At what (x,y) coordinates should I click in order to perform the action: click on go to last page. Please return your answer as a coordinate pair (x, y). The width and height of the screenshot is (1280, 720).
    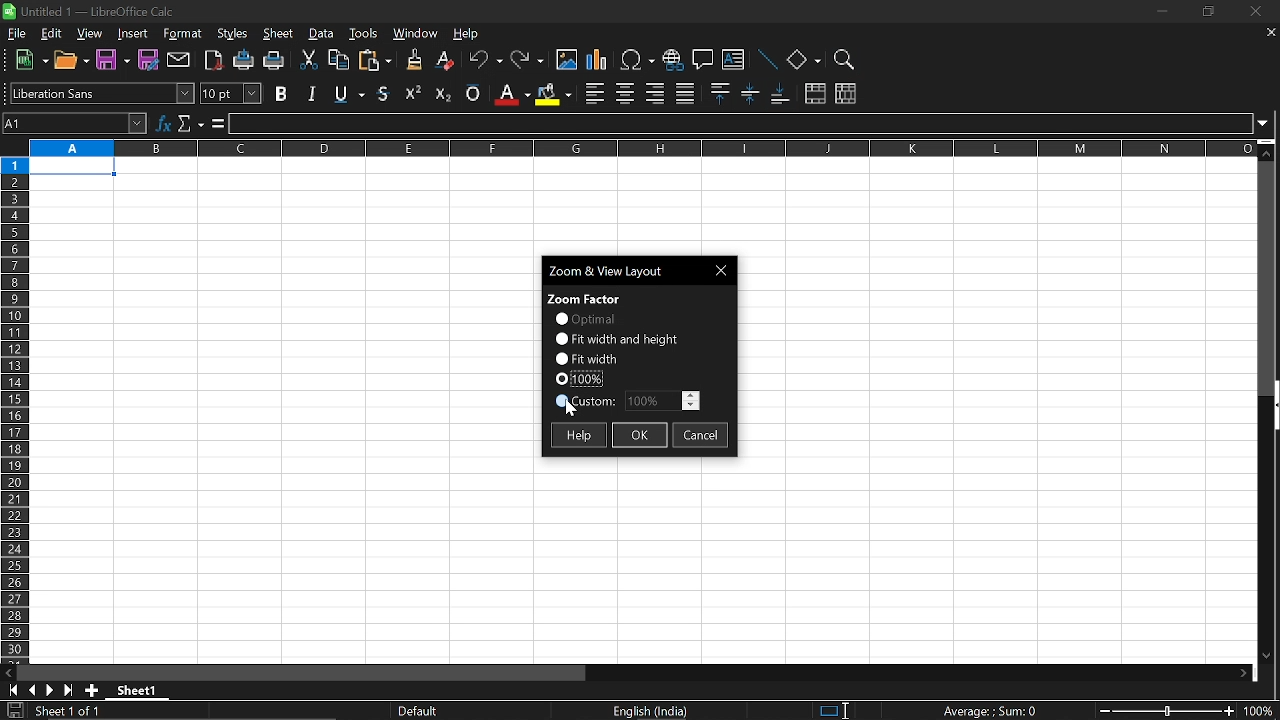
    Looking at the image, I should click on (70, 691).